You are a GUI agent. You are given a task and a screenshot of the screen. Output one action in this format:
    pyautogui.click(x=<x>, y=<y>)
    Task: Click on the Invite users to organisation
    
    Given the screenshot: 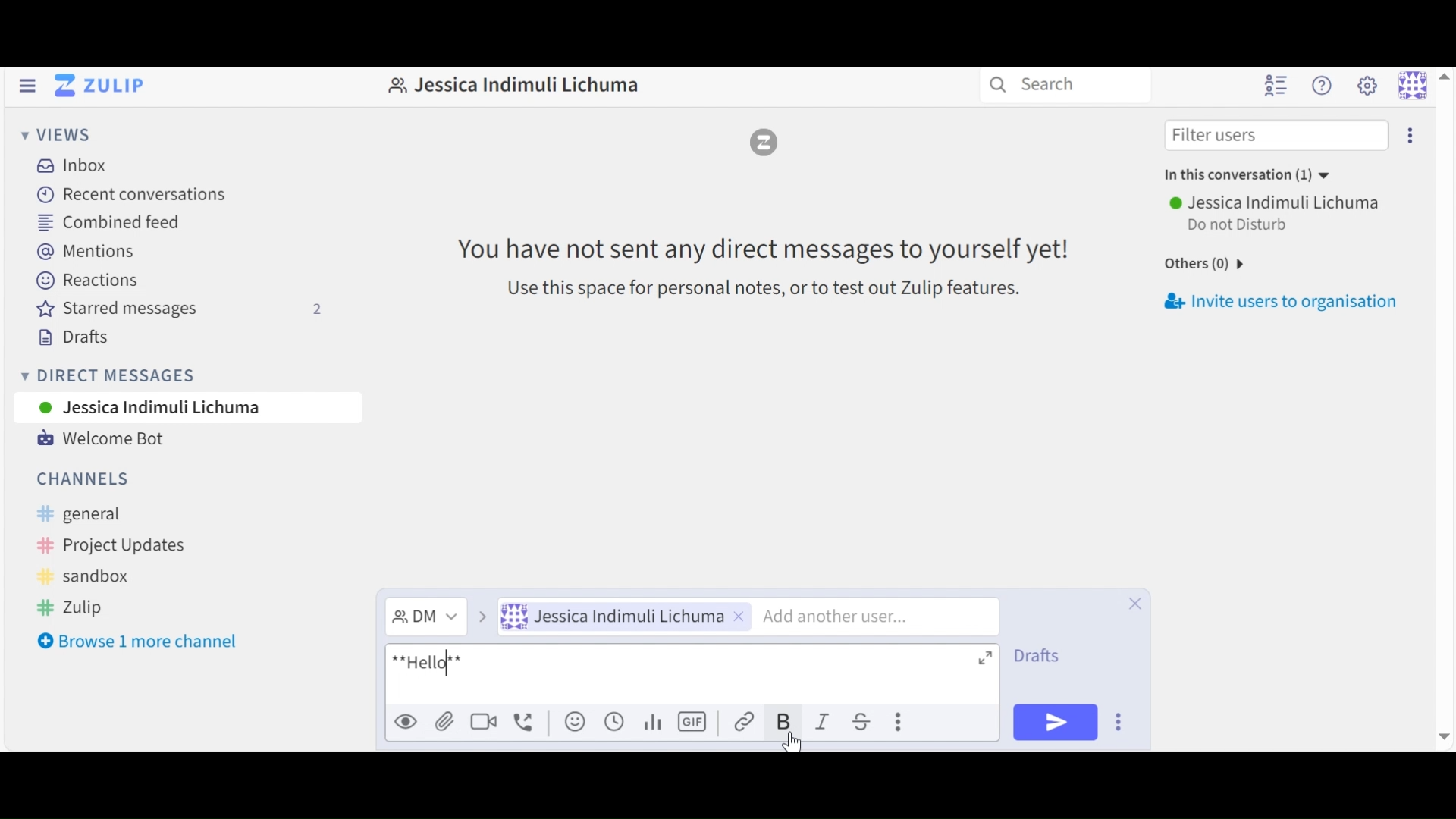 What is the action you would take?
    pyautogui.click(x=1288, y=305)
    